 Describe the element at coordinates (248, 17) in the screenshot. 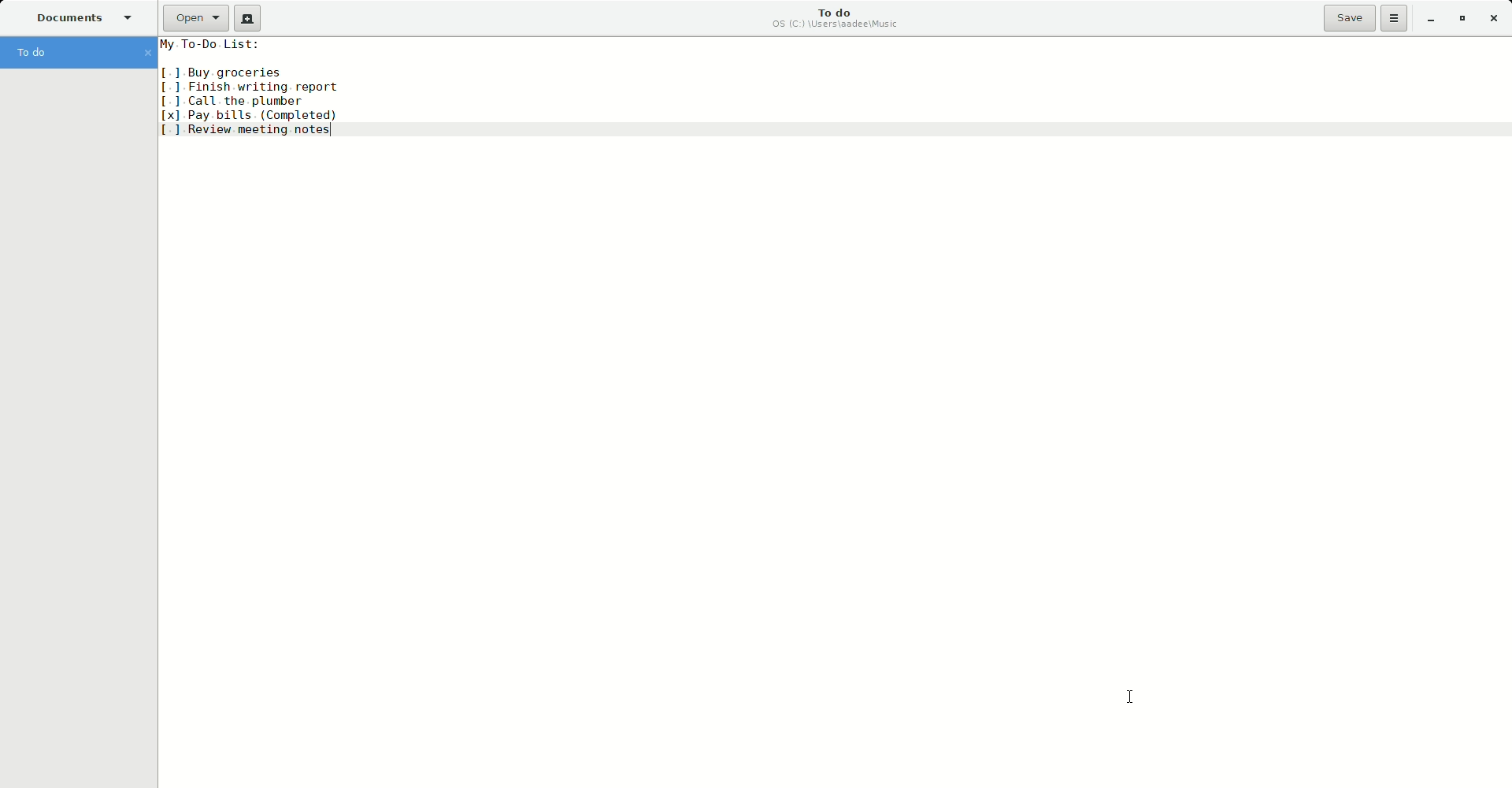

I see `New` at that location.